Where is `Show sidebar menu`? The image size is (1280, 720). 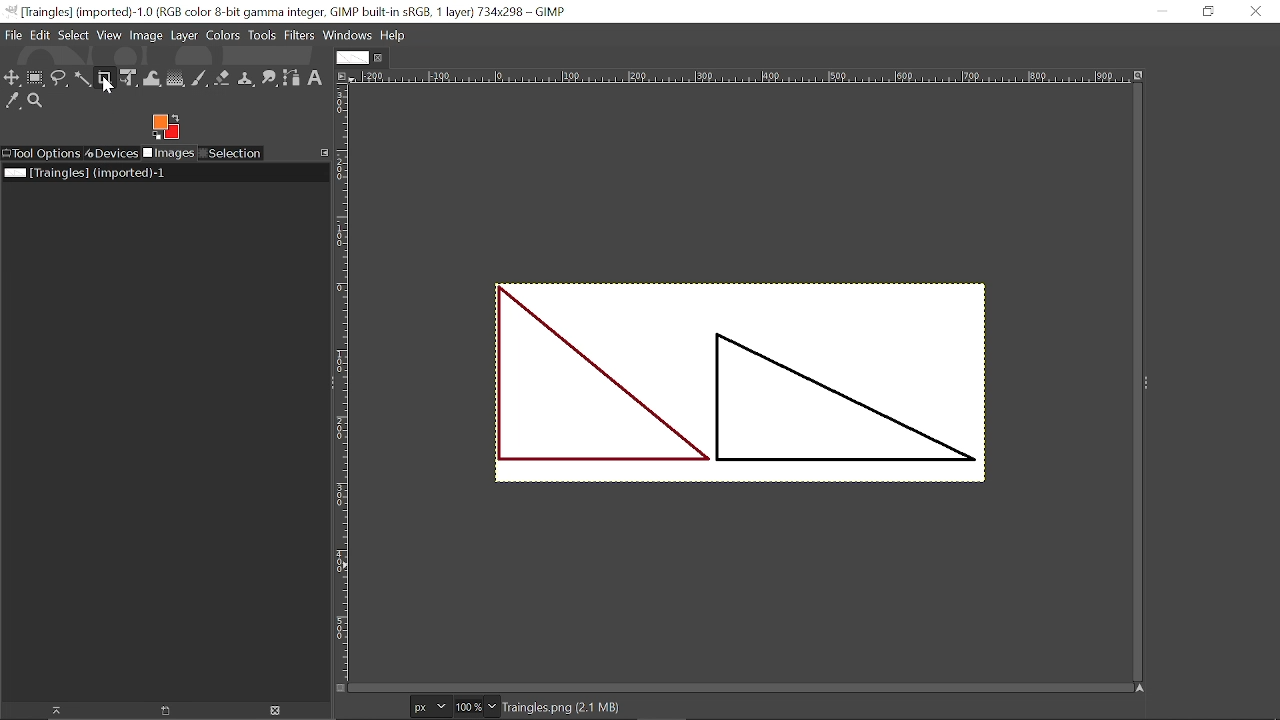 Show sidebar menu is located at coordinates (1147, 383).